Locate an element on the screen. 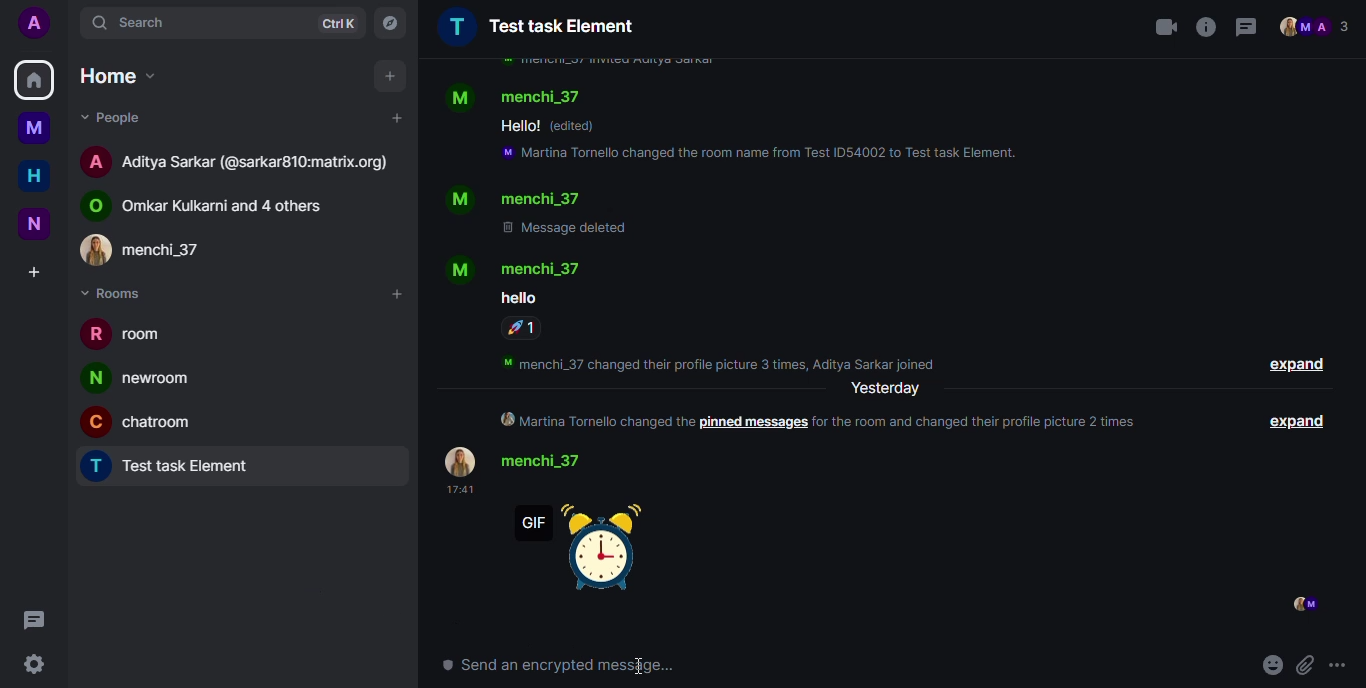 The width and height of the screenshot is (1366, 688). create space is located at coordinates (34, 271).